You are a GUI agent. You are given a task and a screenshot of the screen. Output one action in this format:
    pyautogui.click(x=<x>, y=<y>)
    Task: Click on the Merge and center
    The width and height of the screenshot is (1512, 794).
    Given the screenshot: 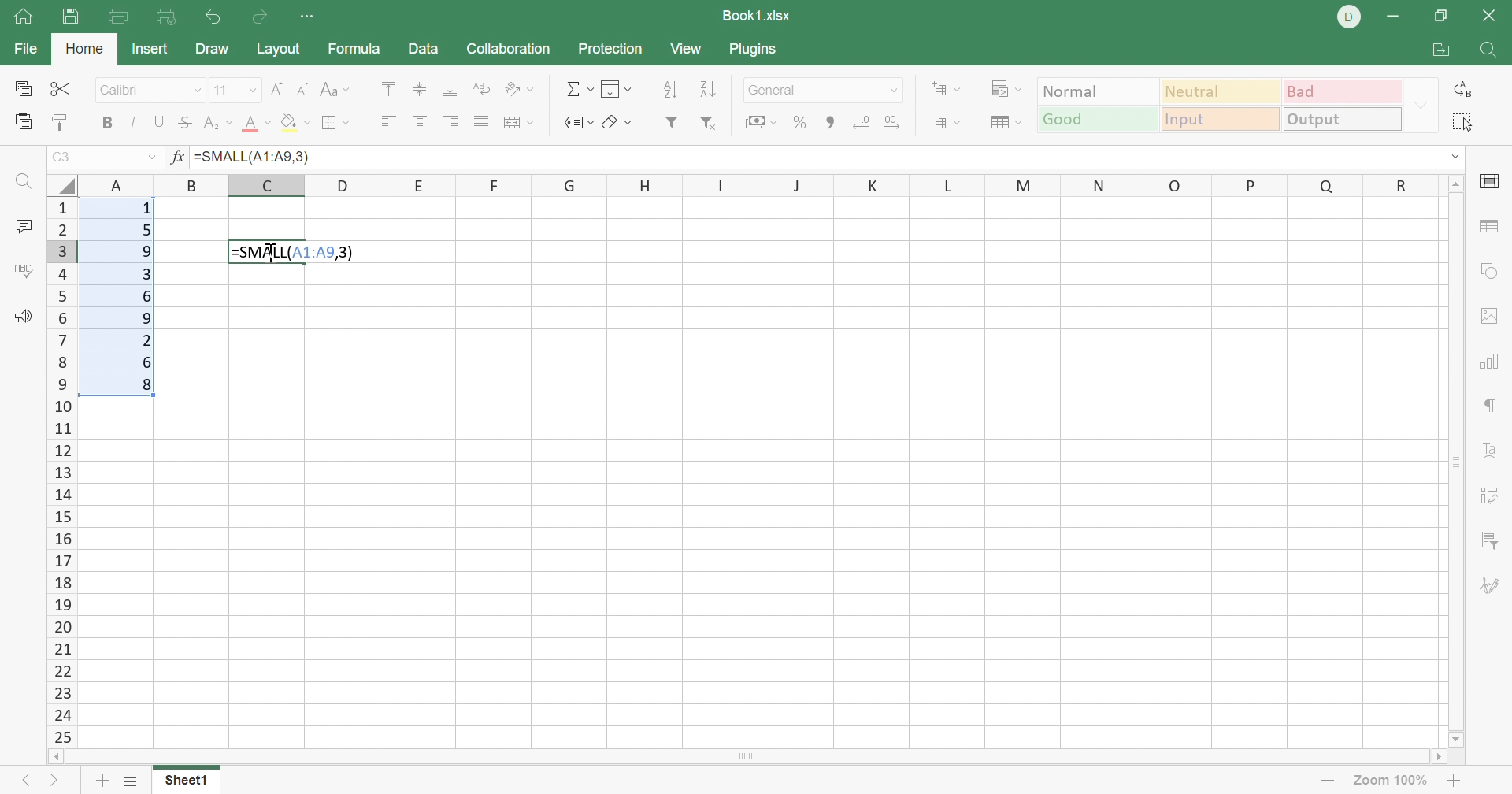 What is the action you would take?
    pyautogui.click(x=521, y=124)
    